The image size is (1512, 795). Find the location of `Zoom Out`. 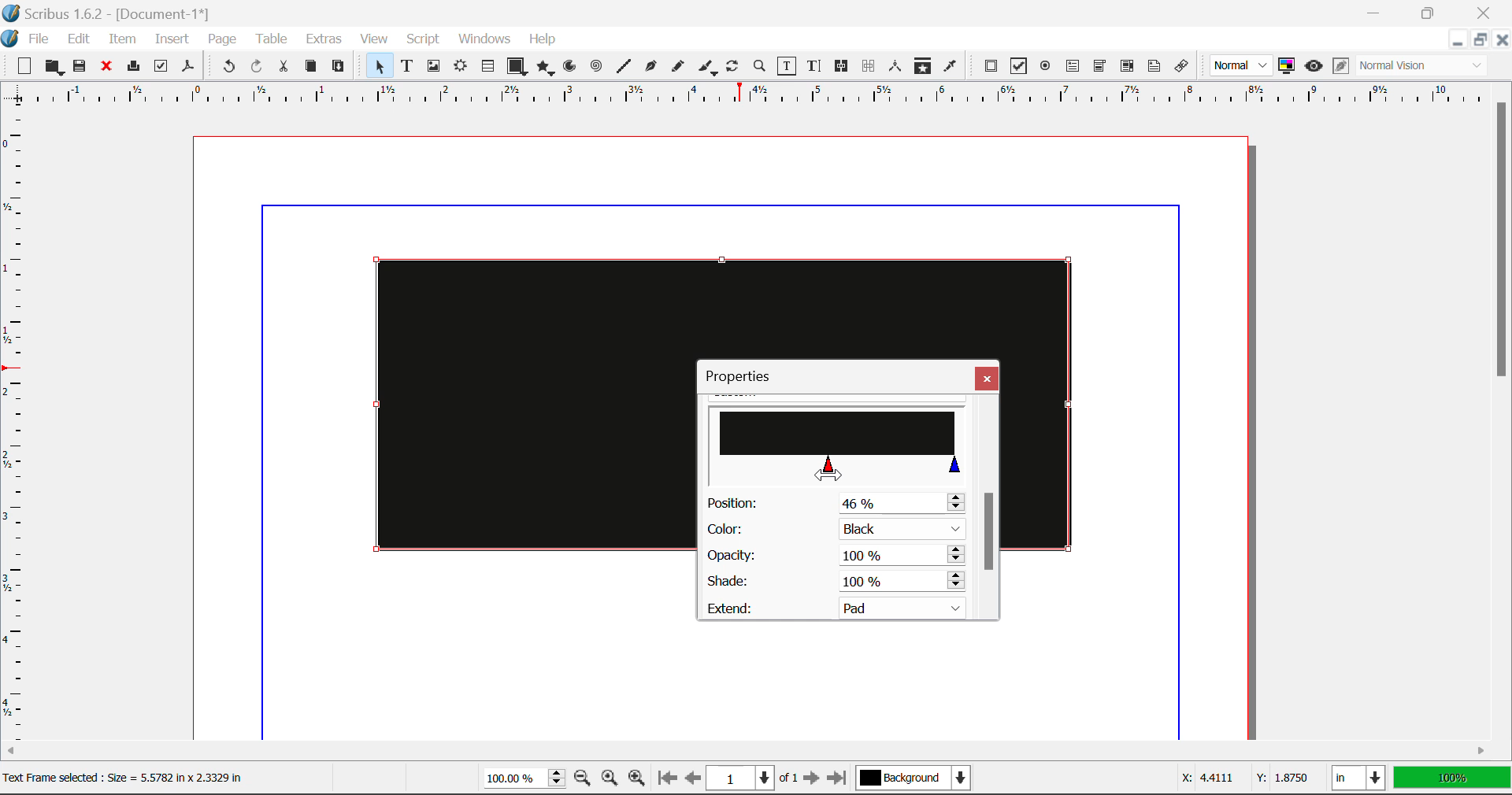

Zoom Out is located at coordinates (584, 779).